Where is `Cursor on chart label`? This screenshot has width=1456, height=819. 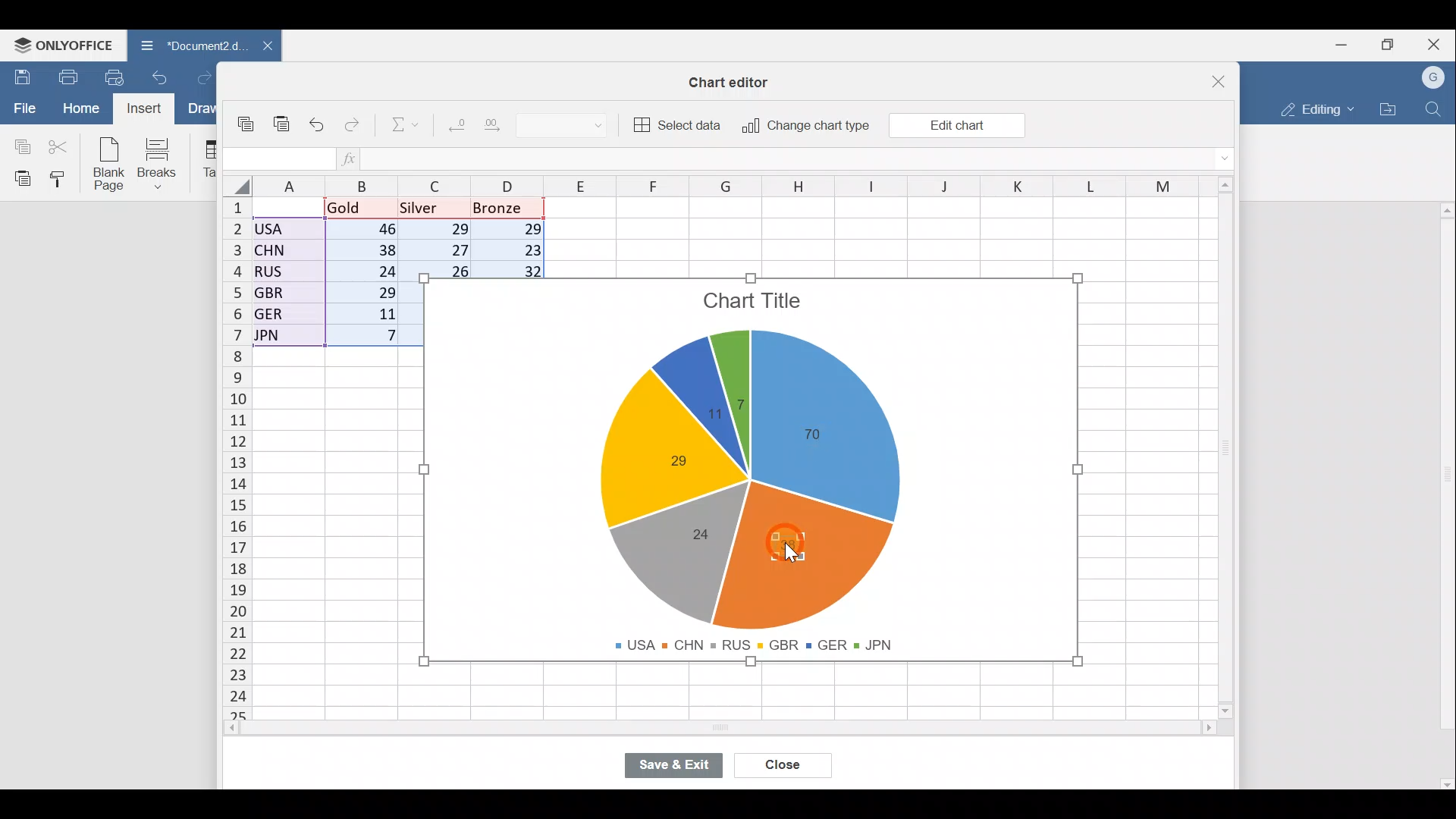 Cursor on chart label is located at coordinates (795, 539).